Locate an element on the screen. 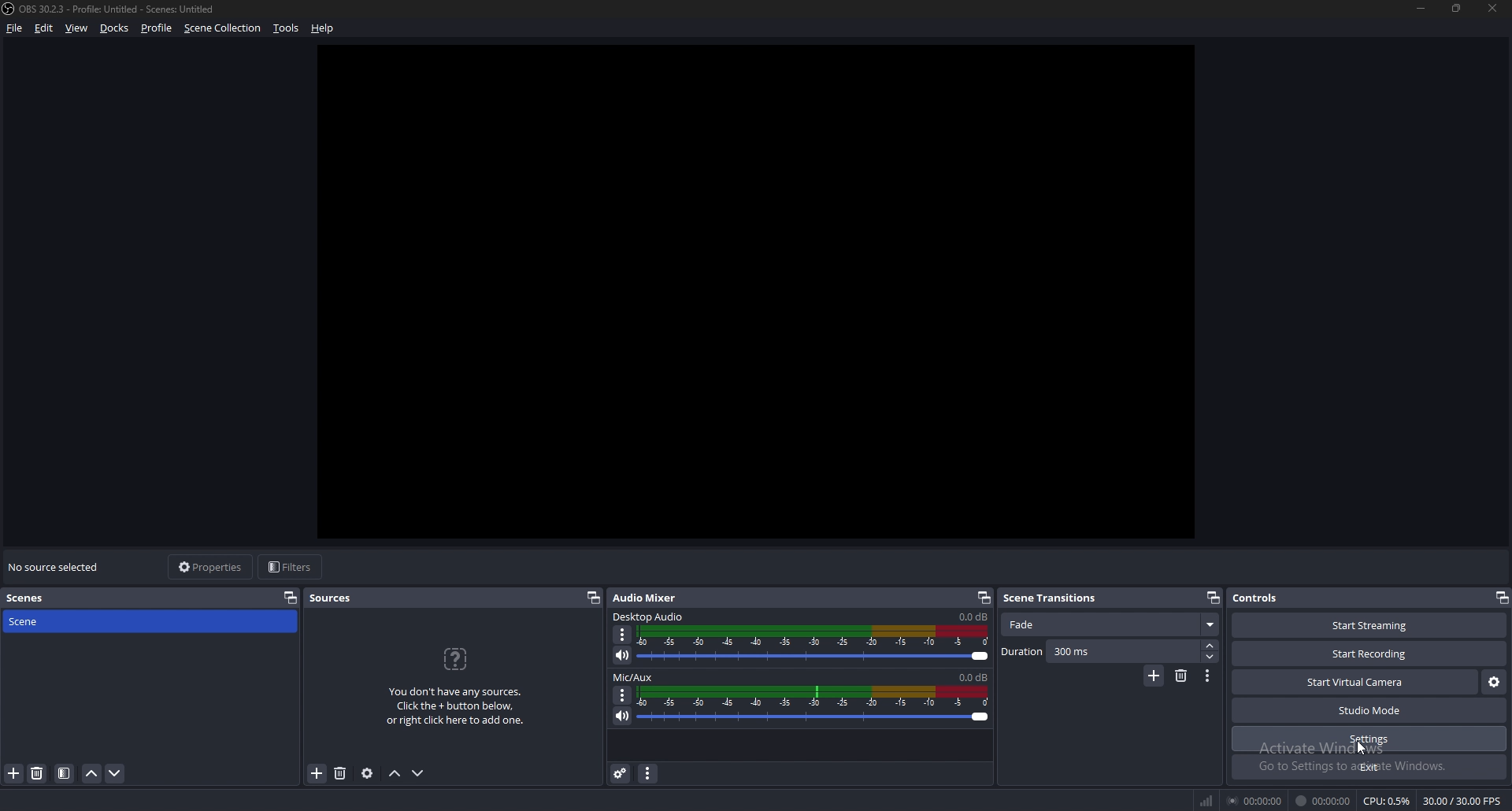 This screenshot has height=811, width=1512. workspace is located at coordinates (770, 291).